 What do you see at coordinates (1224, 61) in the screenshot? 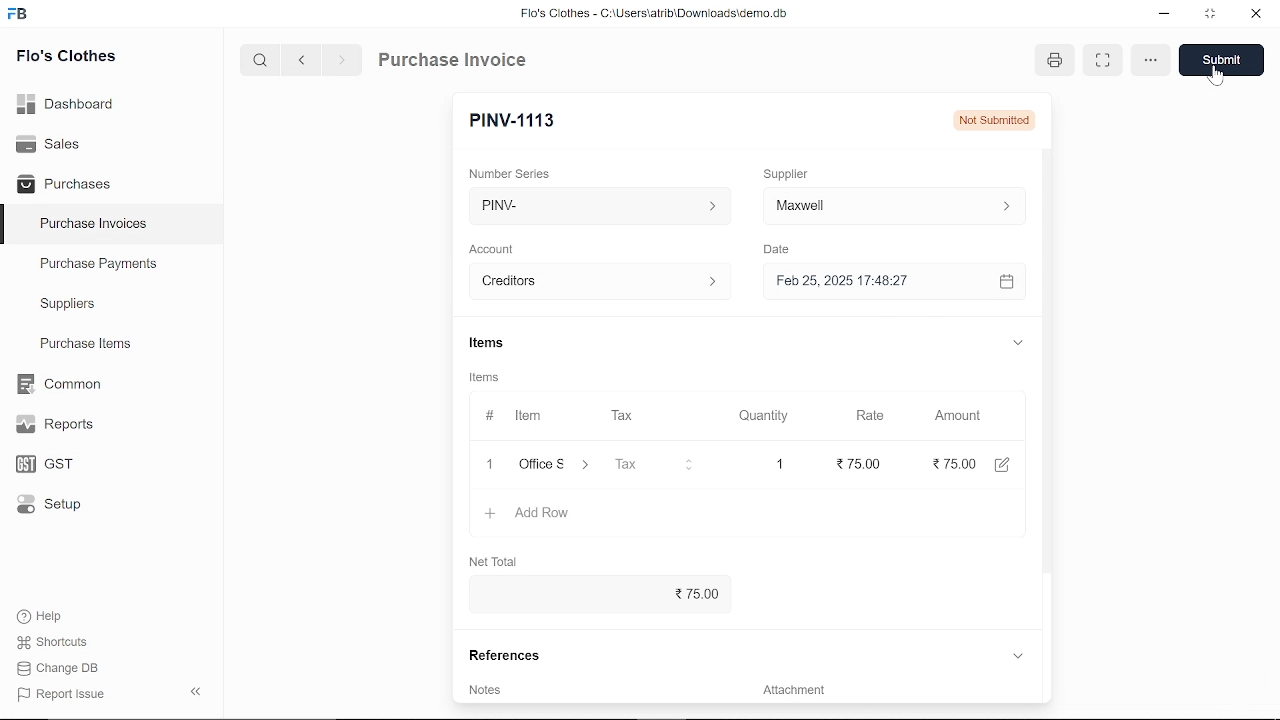
I see `save` at bounding box center [1224, 61].